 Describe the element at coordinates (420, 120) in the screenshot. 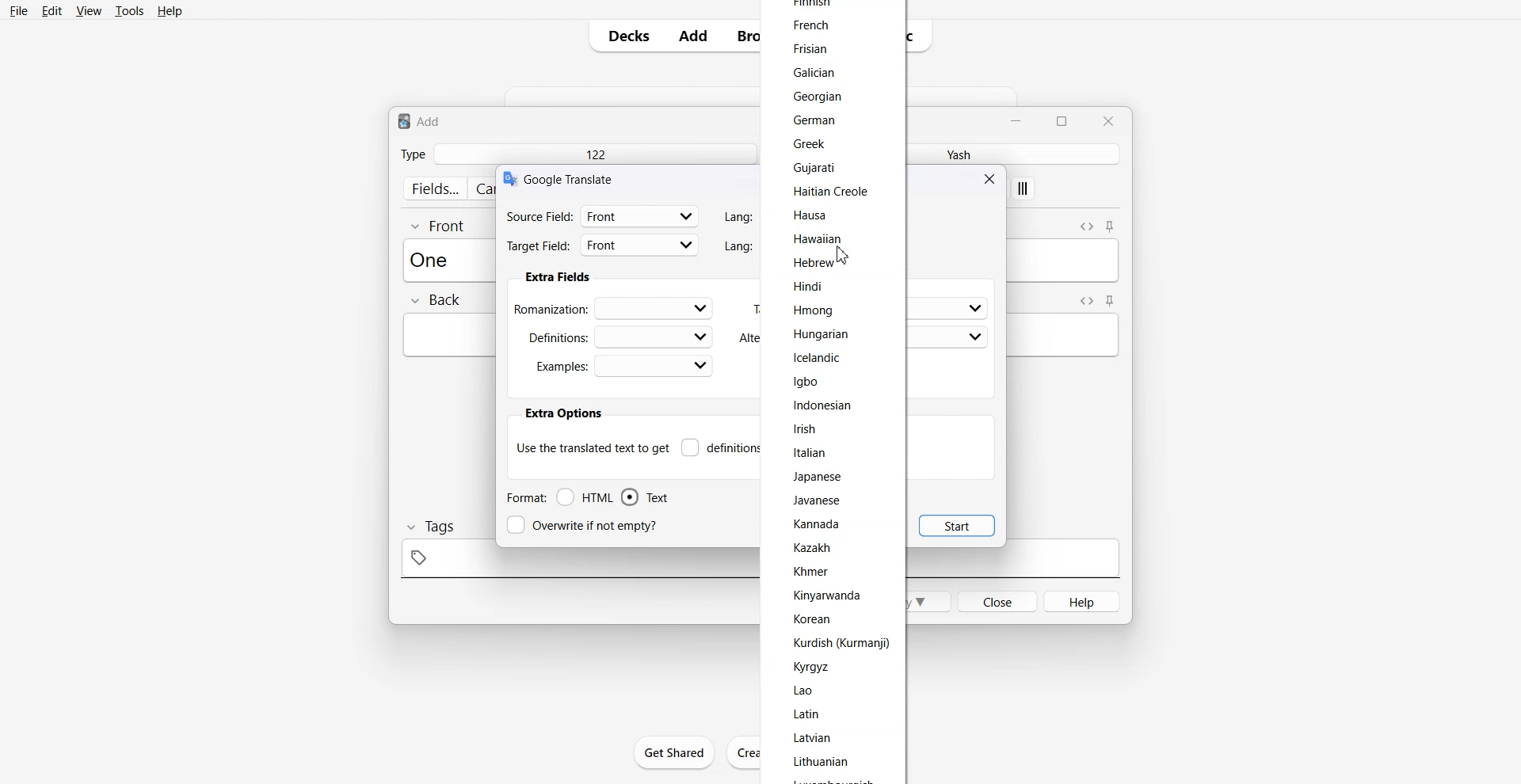

I see `Text` at that location.